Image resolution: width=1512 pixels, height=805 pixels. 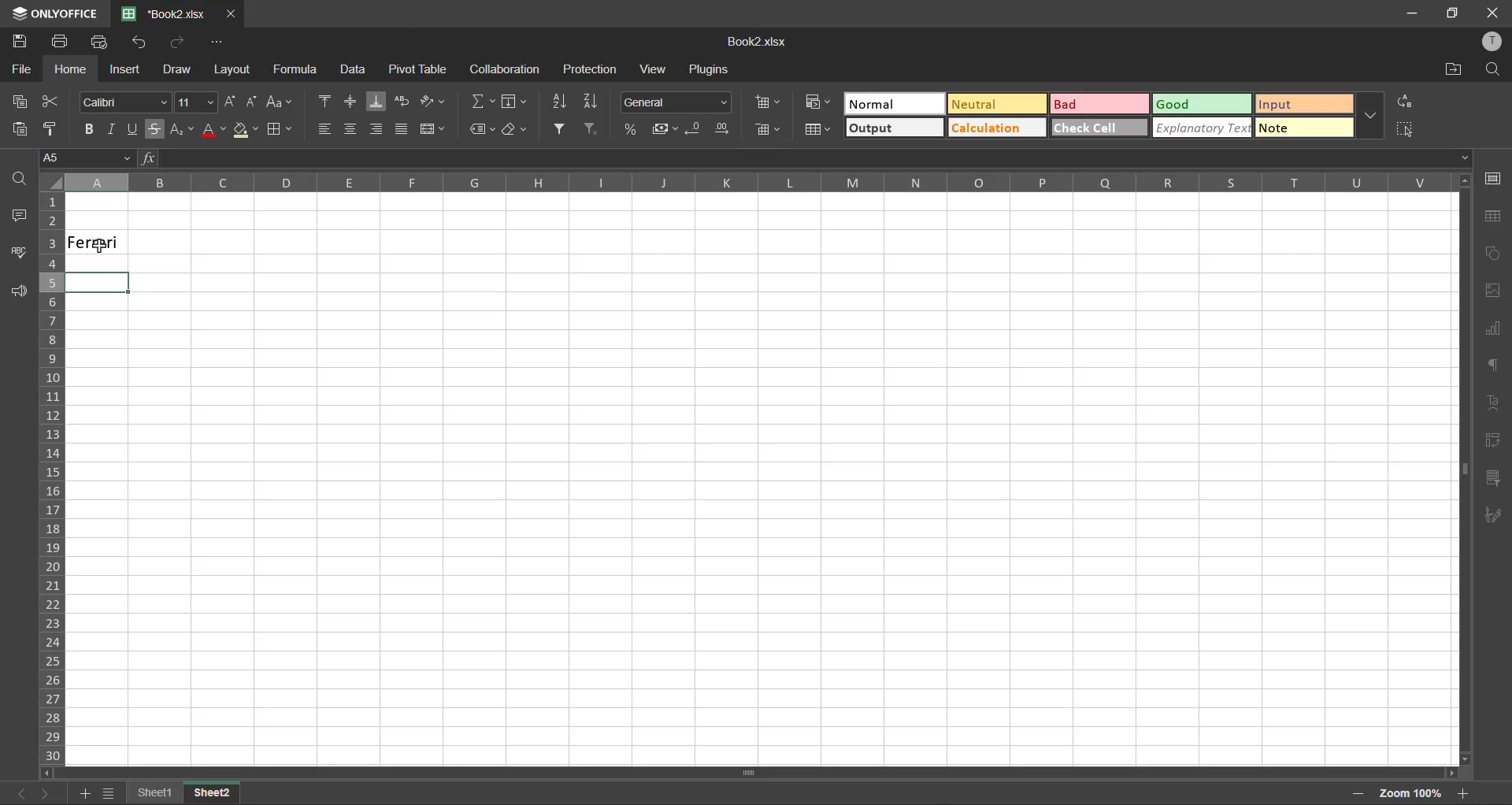 What do you see at coordinates (54, 101) in the screenshot?
I see `cut` at bounding box center [54, 101].